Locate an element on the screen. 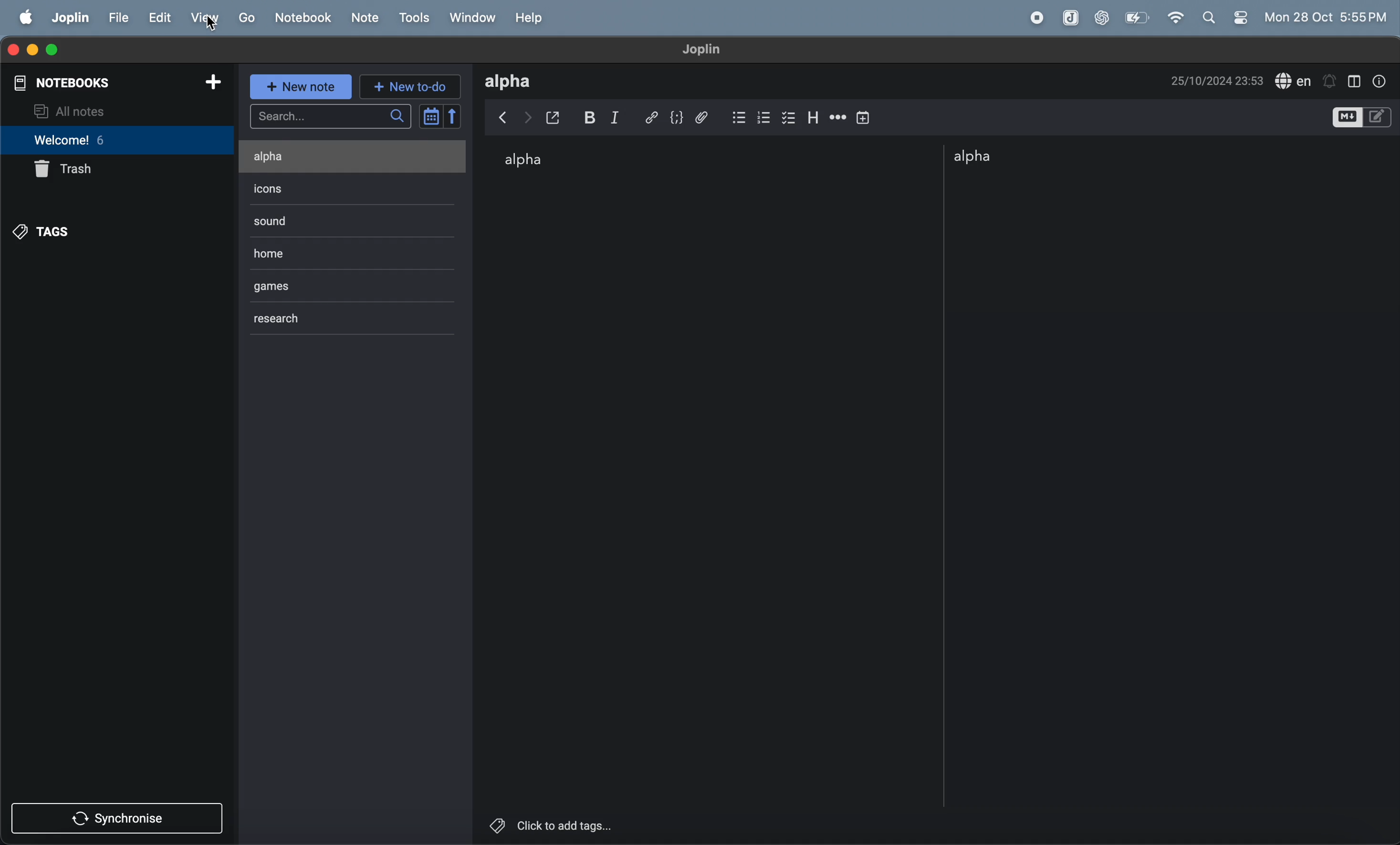 The height and width of the screenshot is (845, 1400). note properties is located at coordinates (1383, 80).